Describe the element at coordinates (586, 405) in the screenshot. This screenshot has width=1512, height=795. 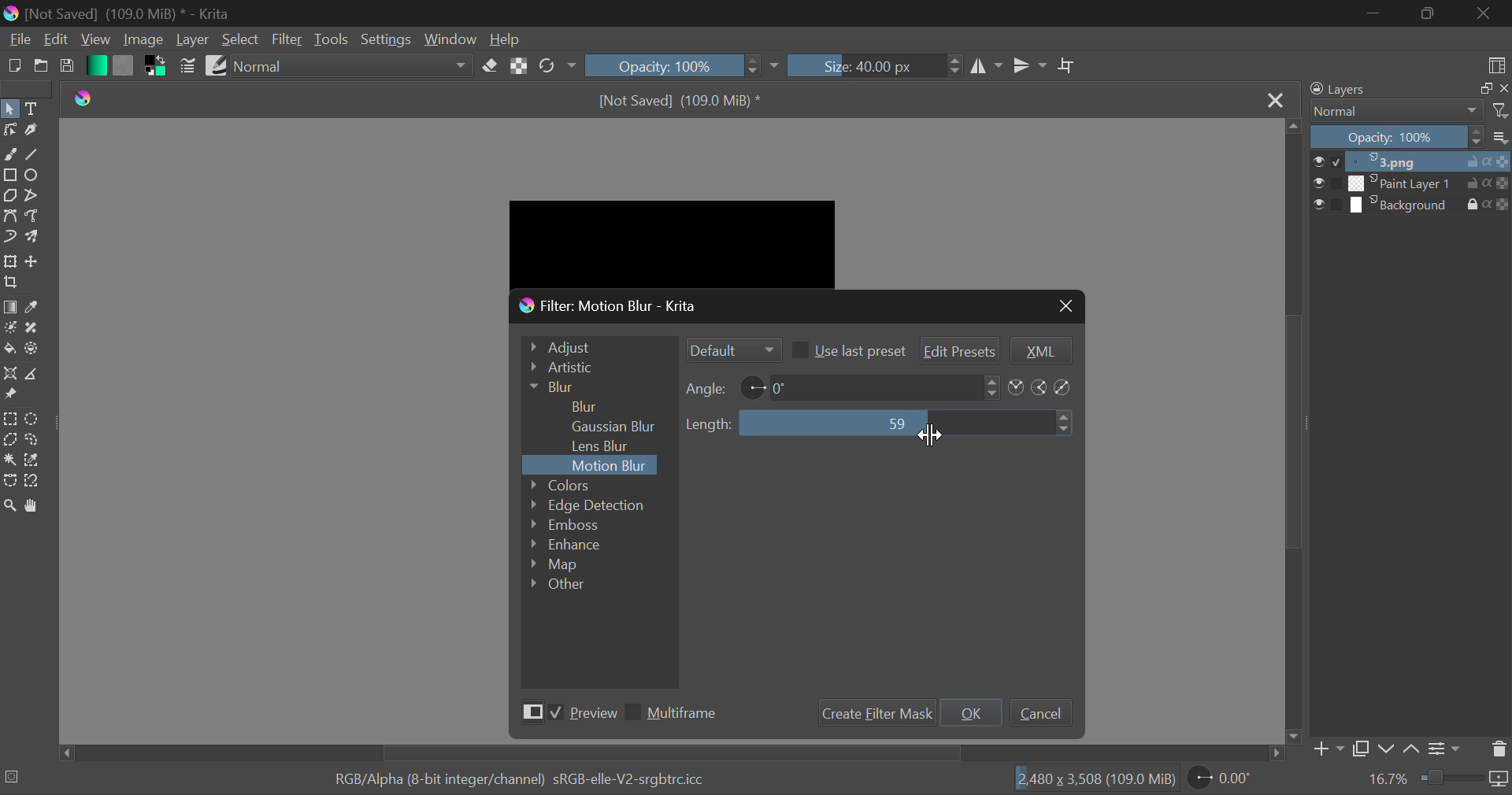
I see `Blur` at that location.